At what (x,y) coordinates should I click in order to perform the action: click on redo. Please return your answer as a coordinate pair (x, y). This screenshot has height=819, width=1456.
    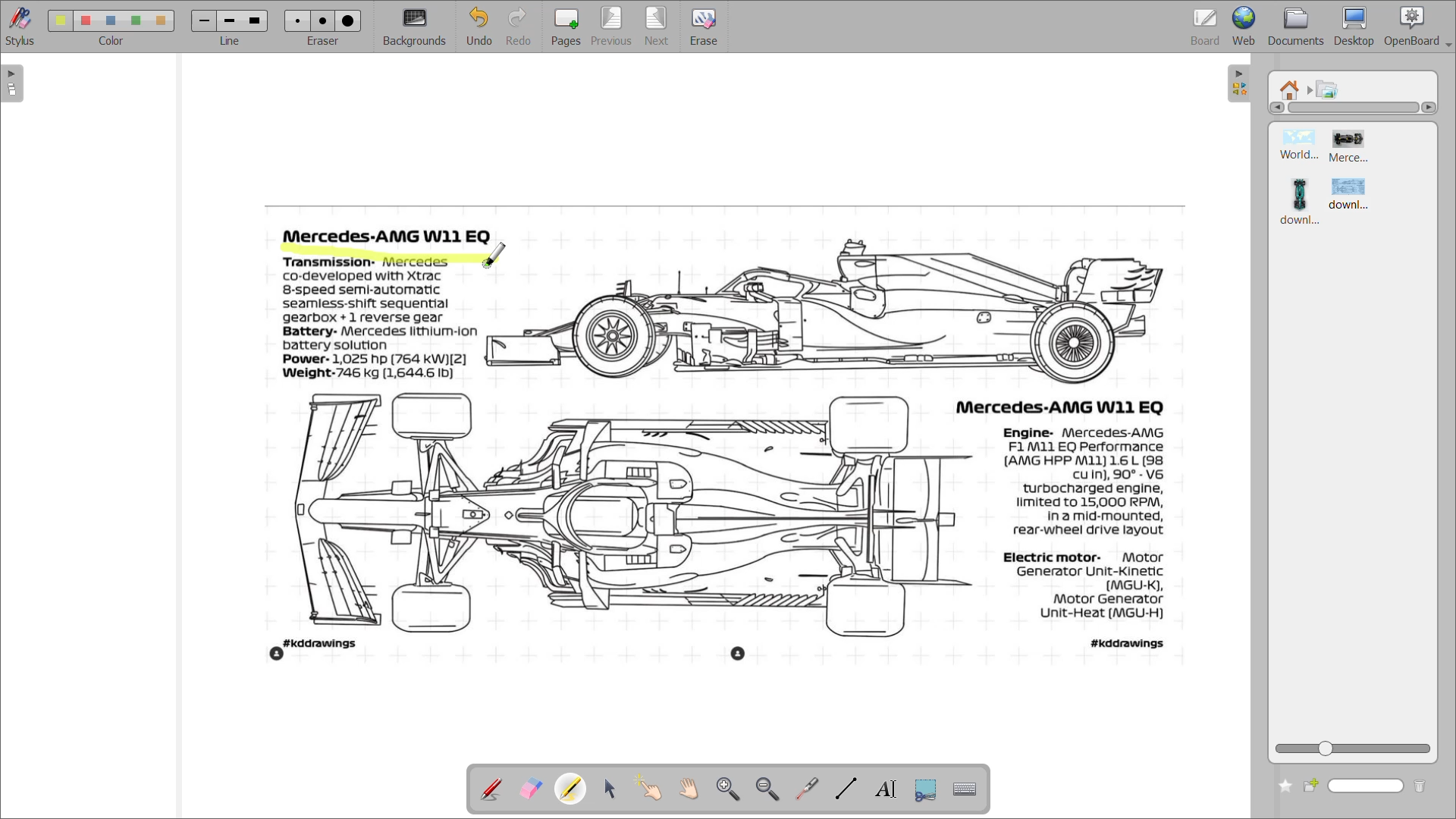
    Looking at the image, I should click on (522, 27).